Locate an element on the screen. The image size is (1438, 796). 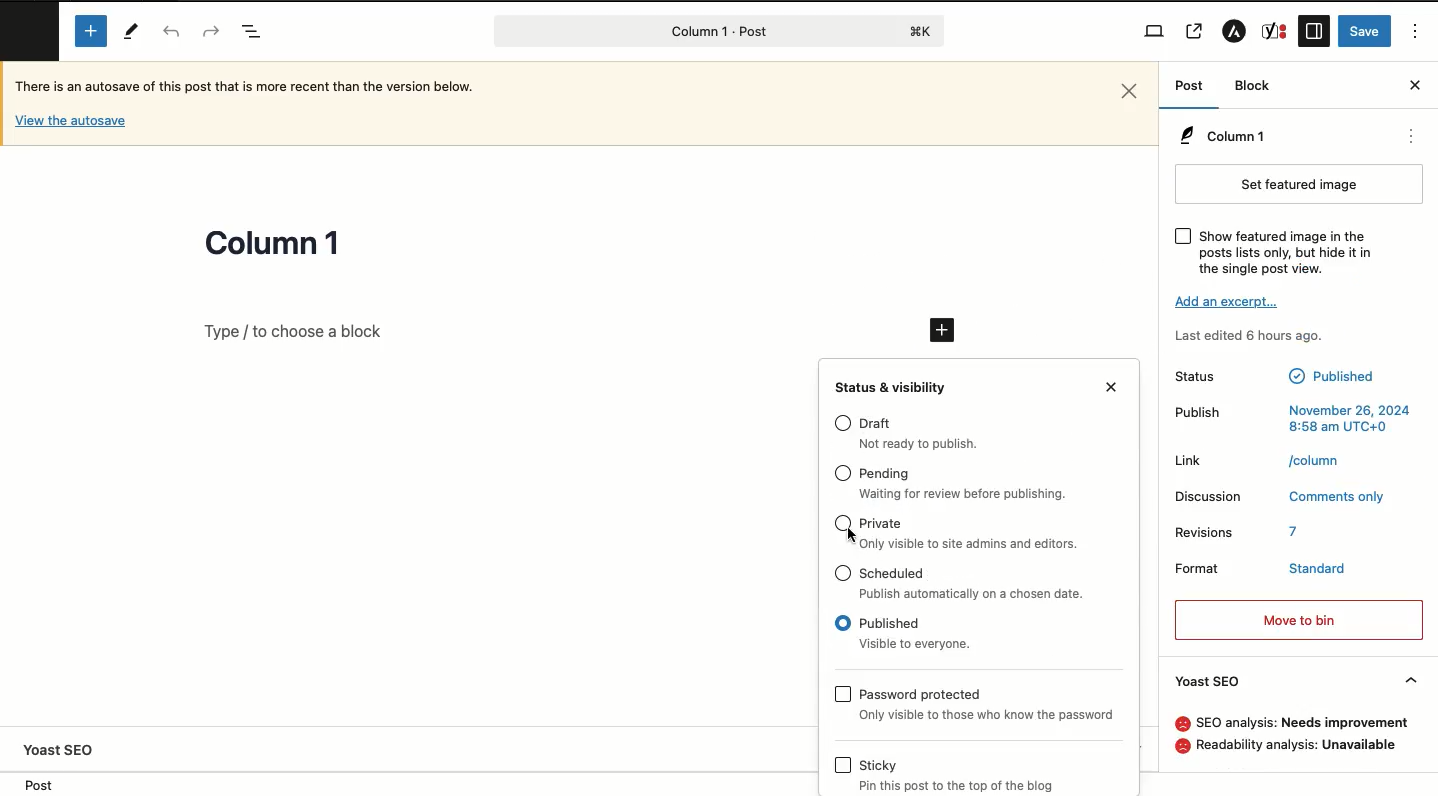
Publish is located at coordinates (1203, 411).